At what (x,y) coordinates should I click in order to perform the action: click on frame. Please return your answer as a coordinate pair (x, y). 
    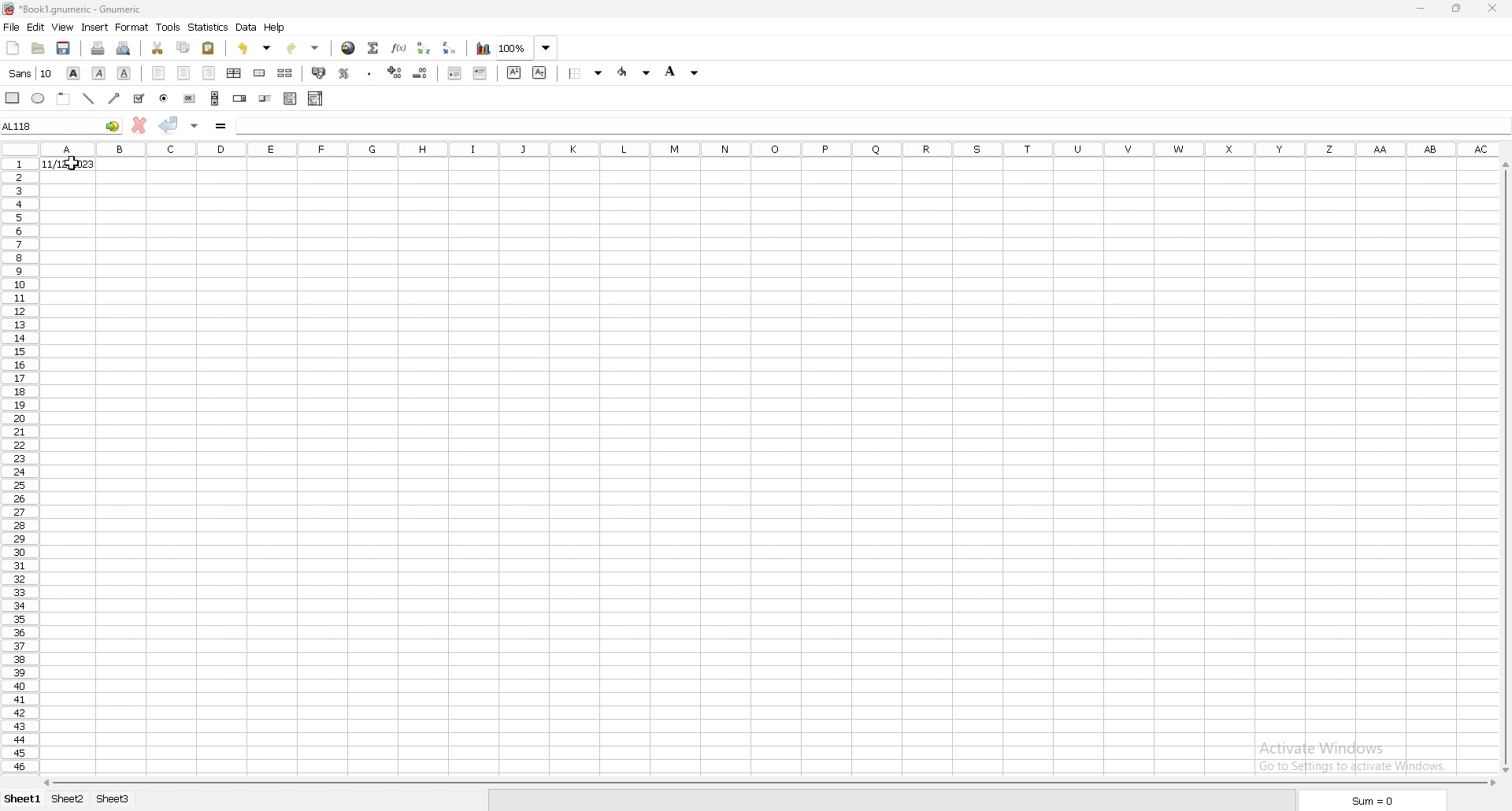
    Looking at the image, I should click on (64, 98).